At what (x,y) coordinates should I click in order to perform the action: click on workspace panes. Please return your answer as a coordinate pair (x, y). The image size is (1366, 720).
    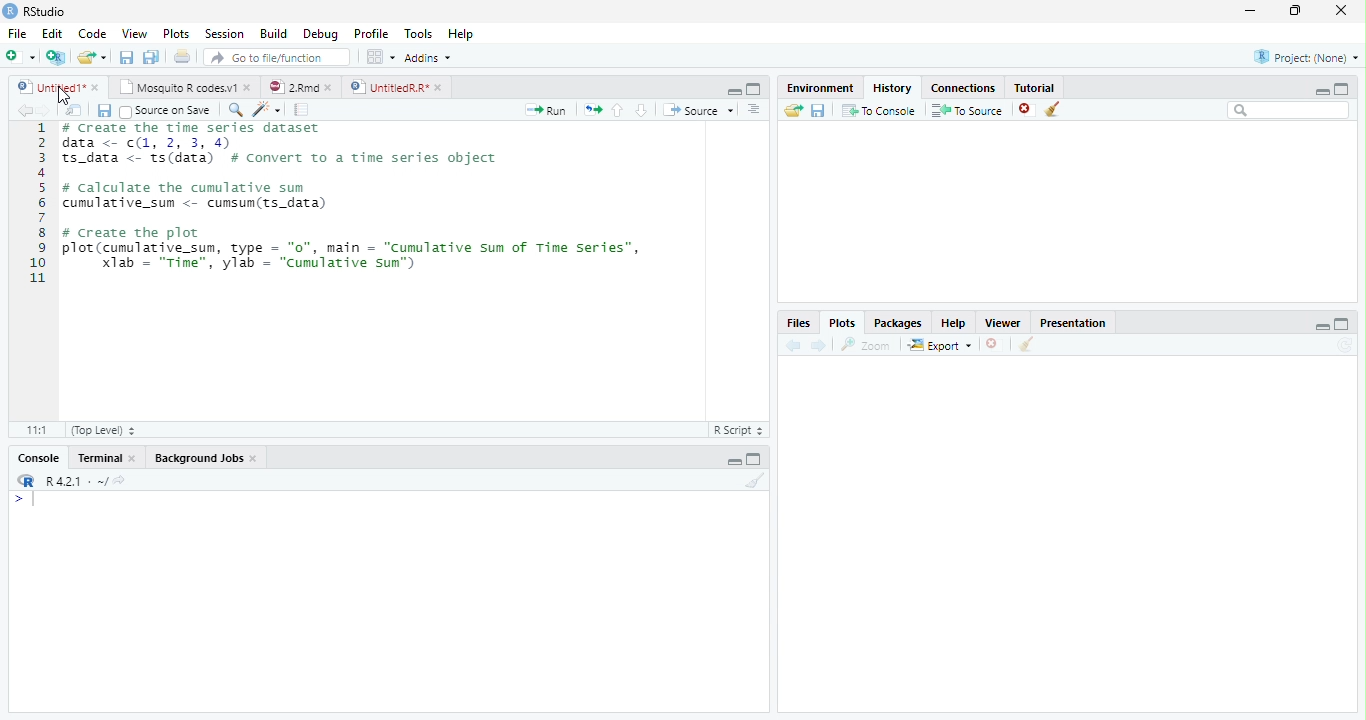
    Looking at the image, I should click on (381, 61).